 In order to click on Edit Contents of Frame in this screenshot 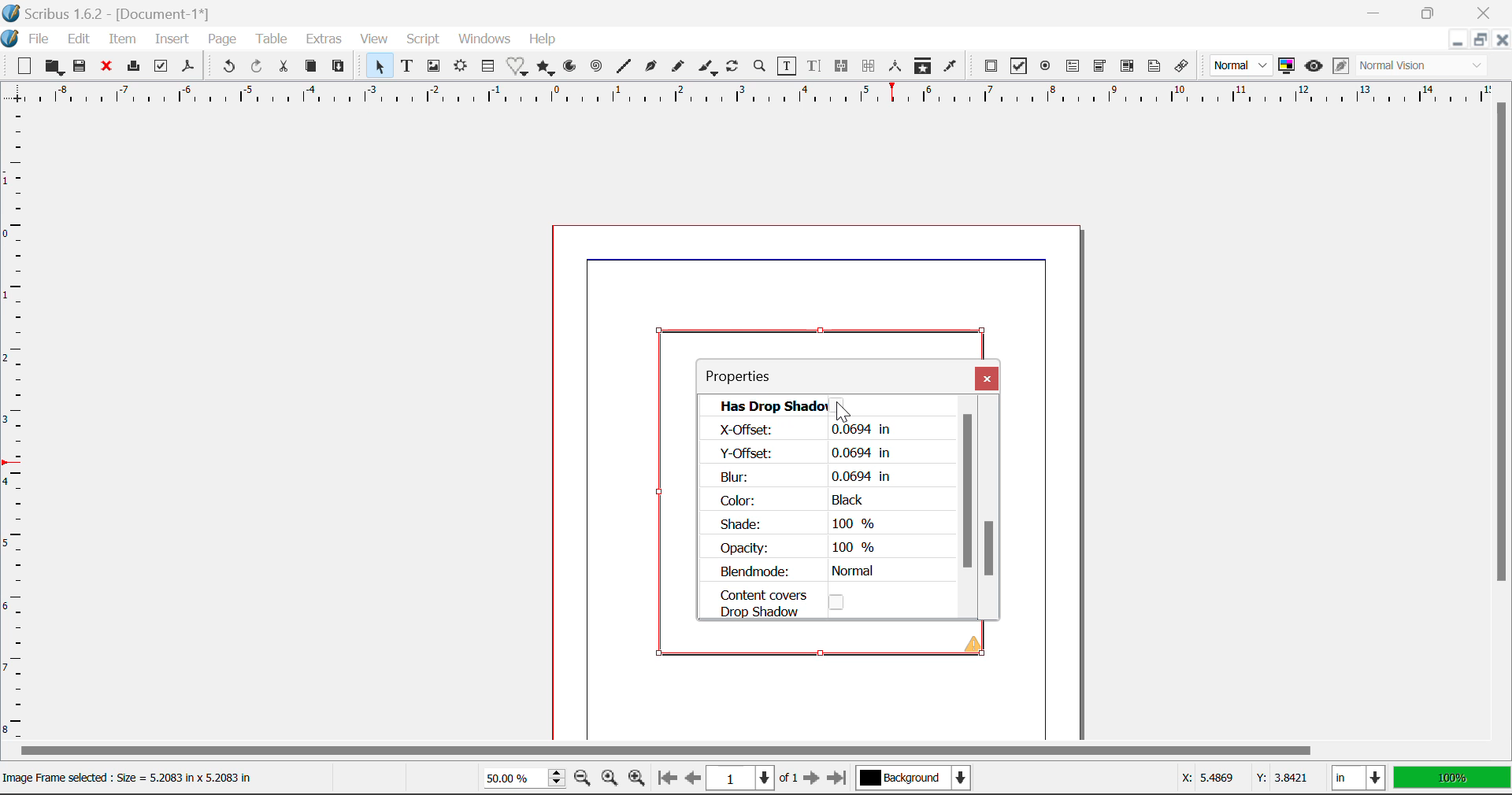, I will do `click(788, 68)`.